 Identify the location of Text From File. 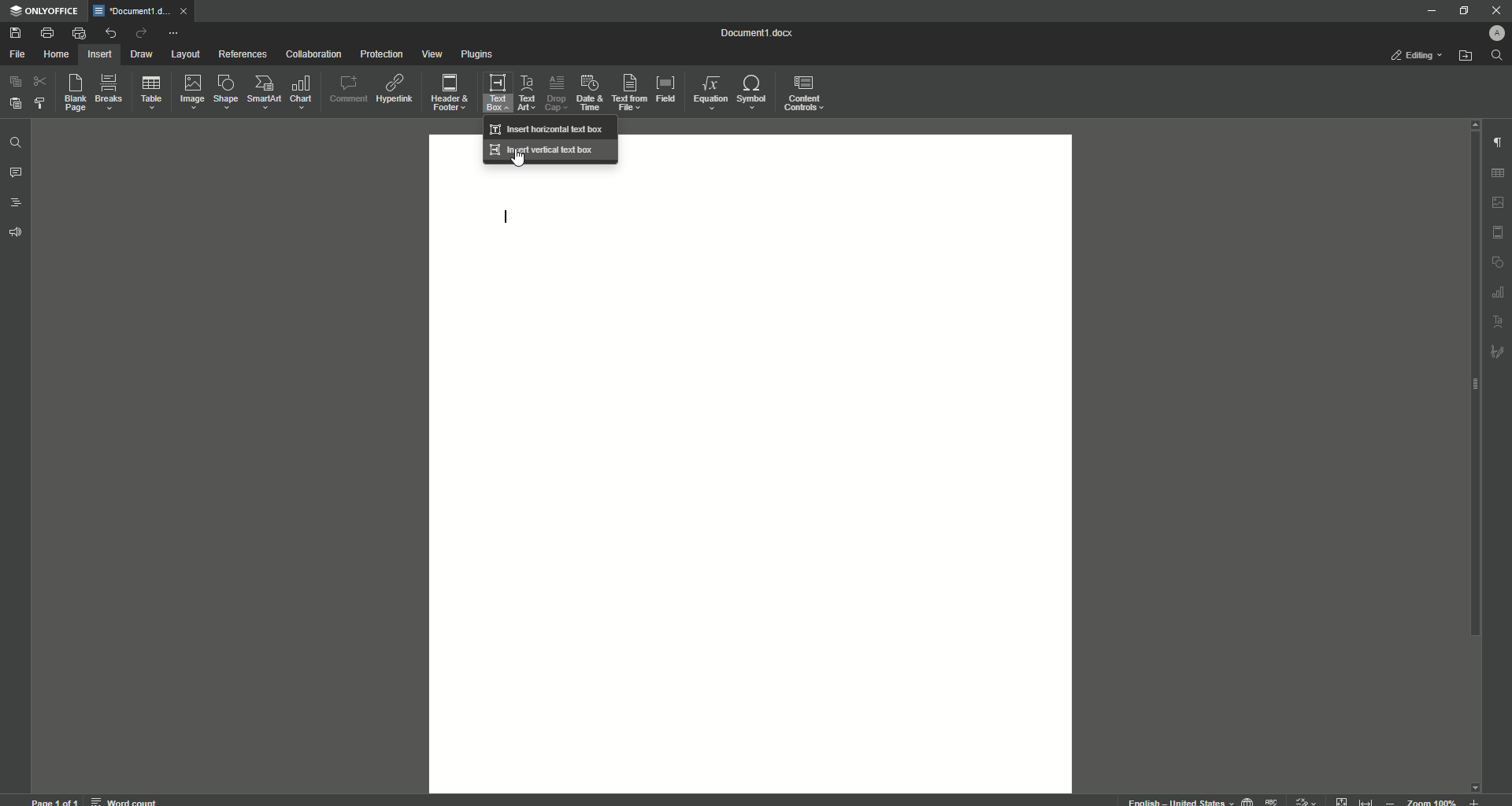
(627, 91).